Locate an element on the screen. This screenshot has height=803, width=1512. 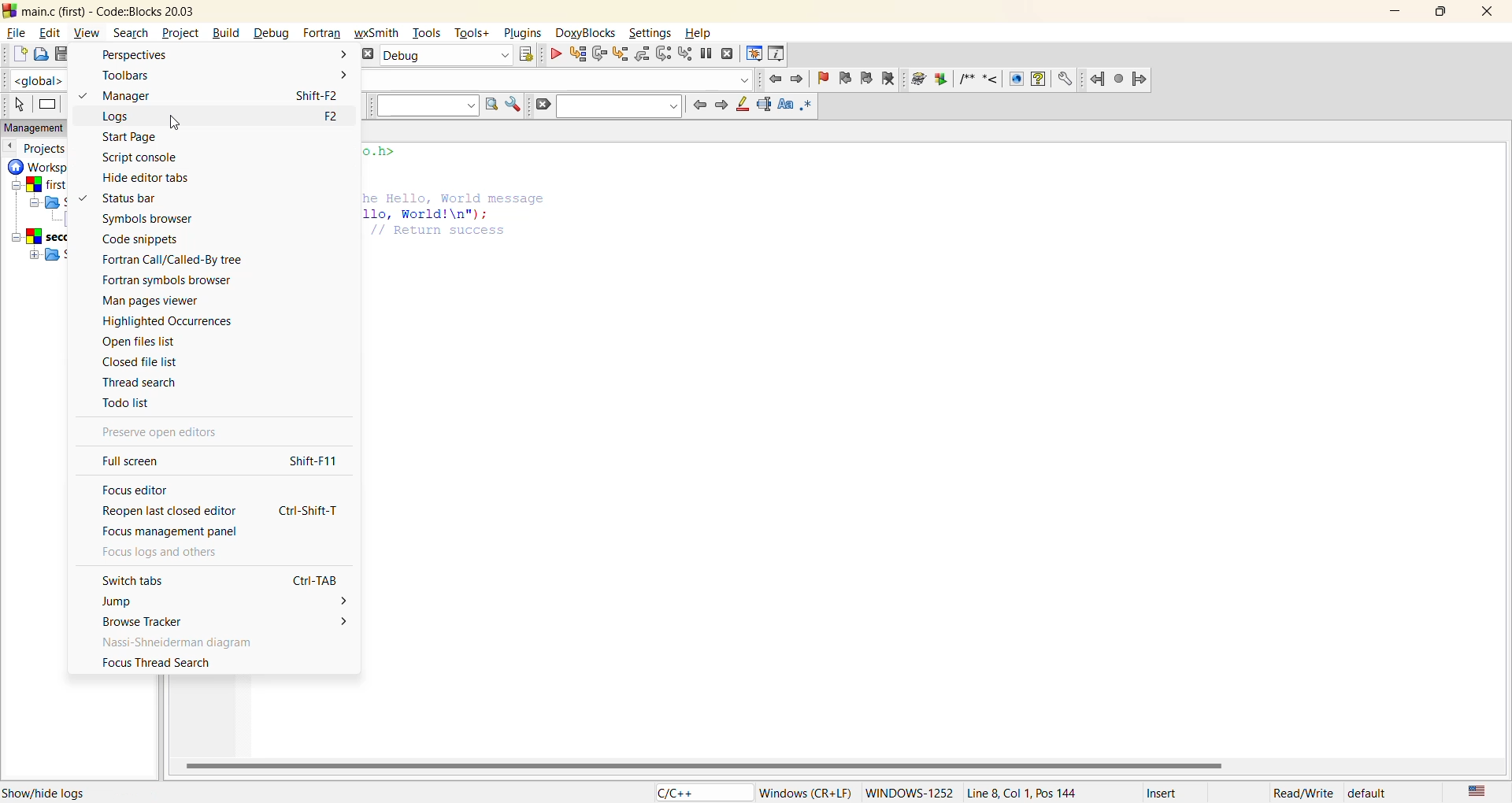
full screen is located at coordinates (137, 462).